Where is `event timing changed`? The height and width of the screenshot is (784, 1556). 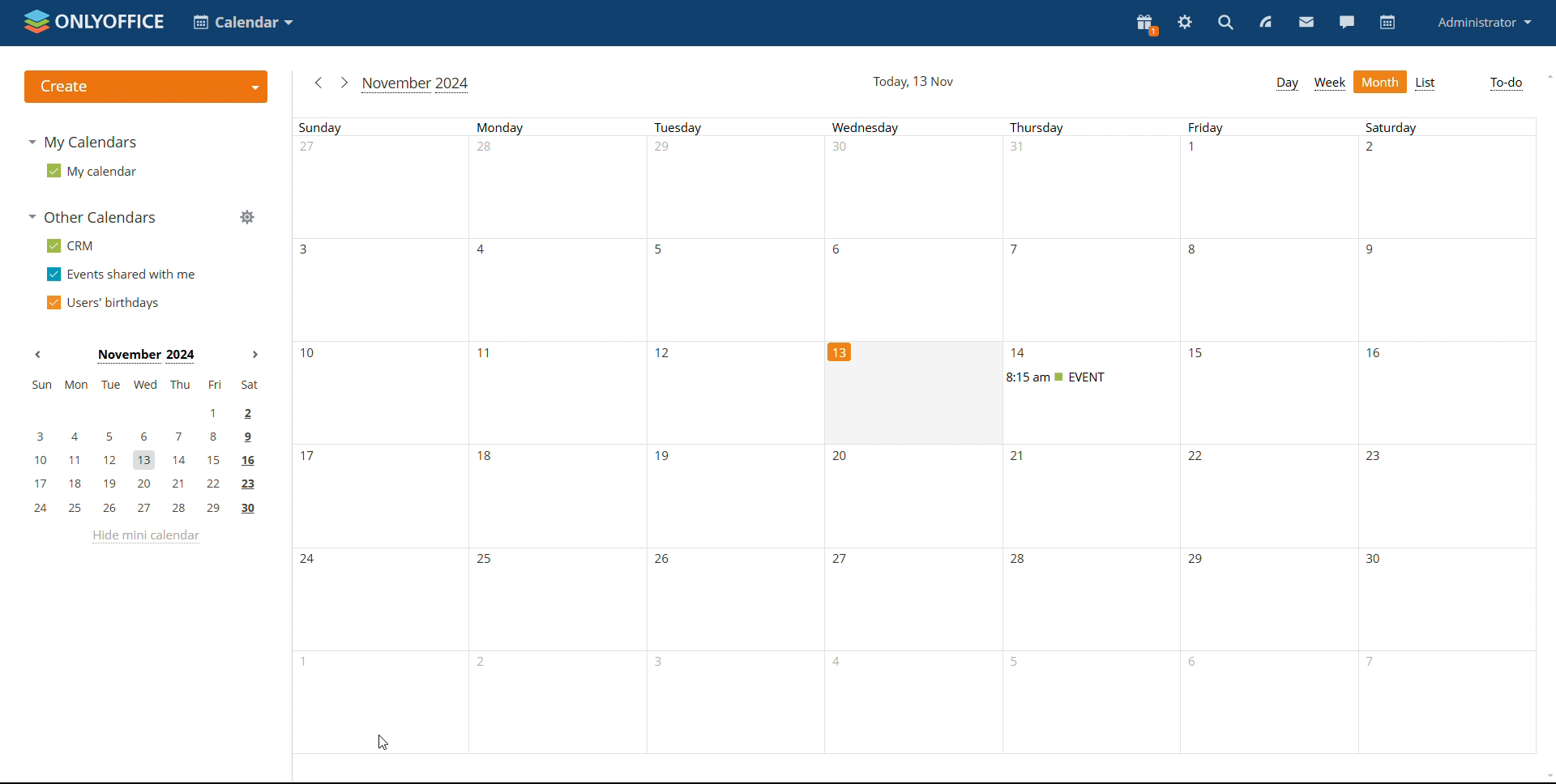 event timing changed is located at coordinates (1055, 377).